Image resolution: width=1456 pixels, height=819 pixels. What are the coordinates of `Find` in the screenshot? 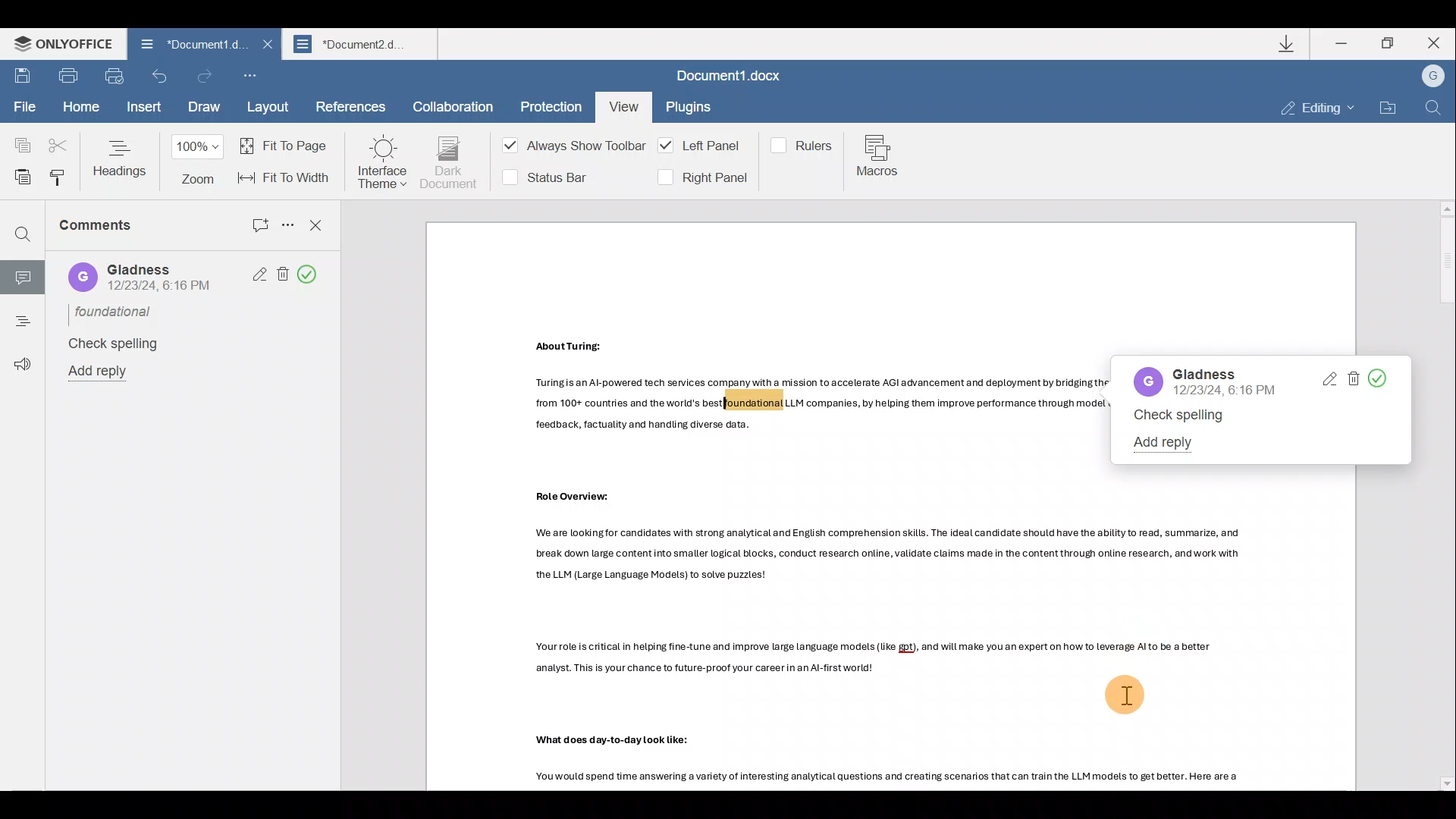 It's located at (1433, 108).